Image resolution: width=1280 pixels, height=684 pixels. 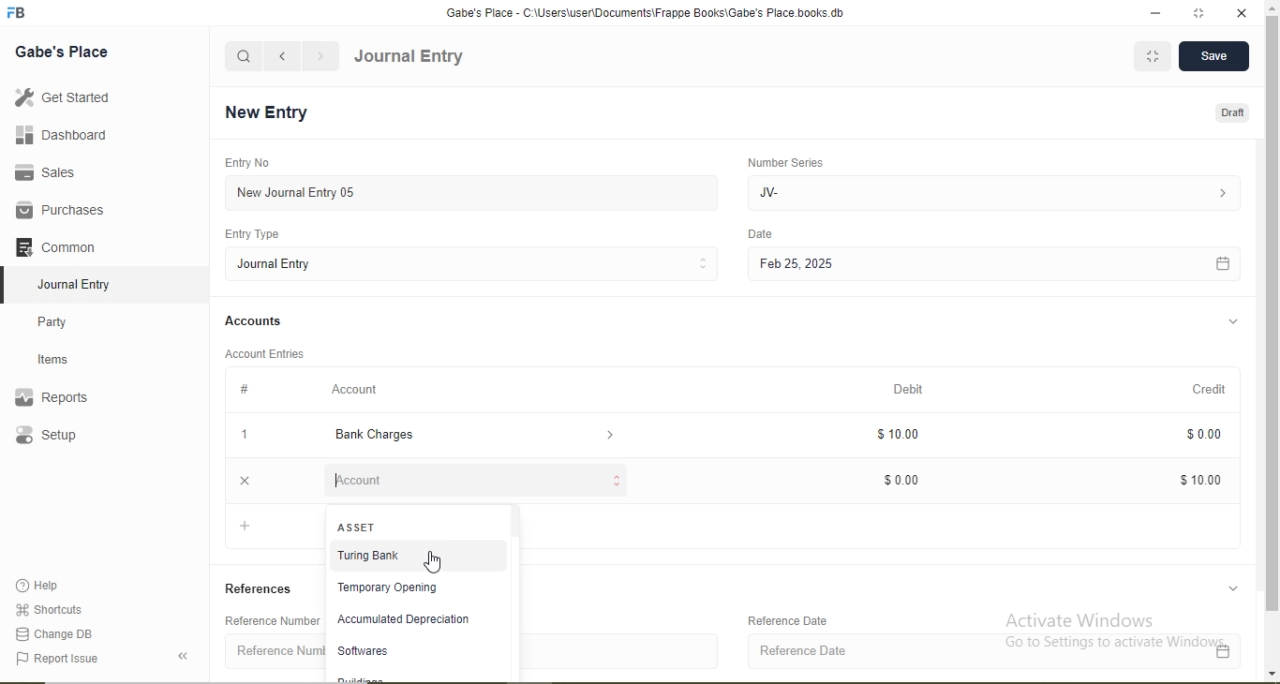 I want to click on Account, so click(x=470, y=480).